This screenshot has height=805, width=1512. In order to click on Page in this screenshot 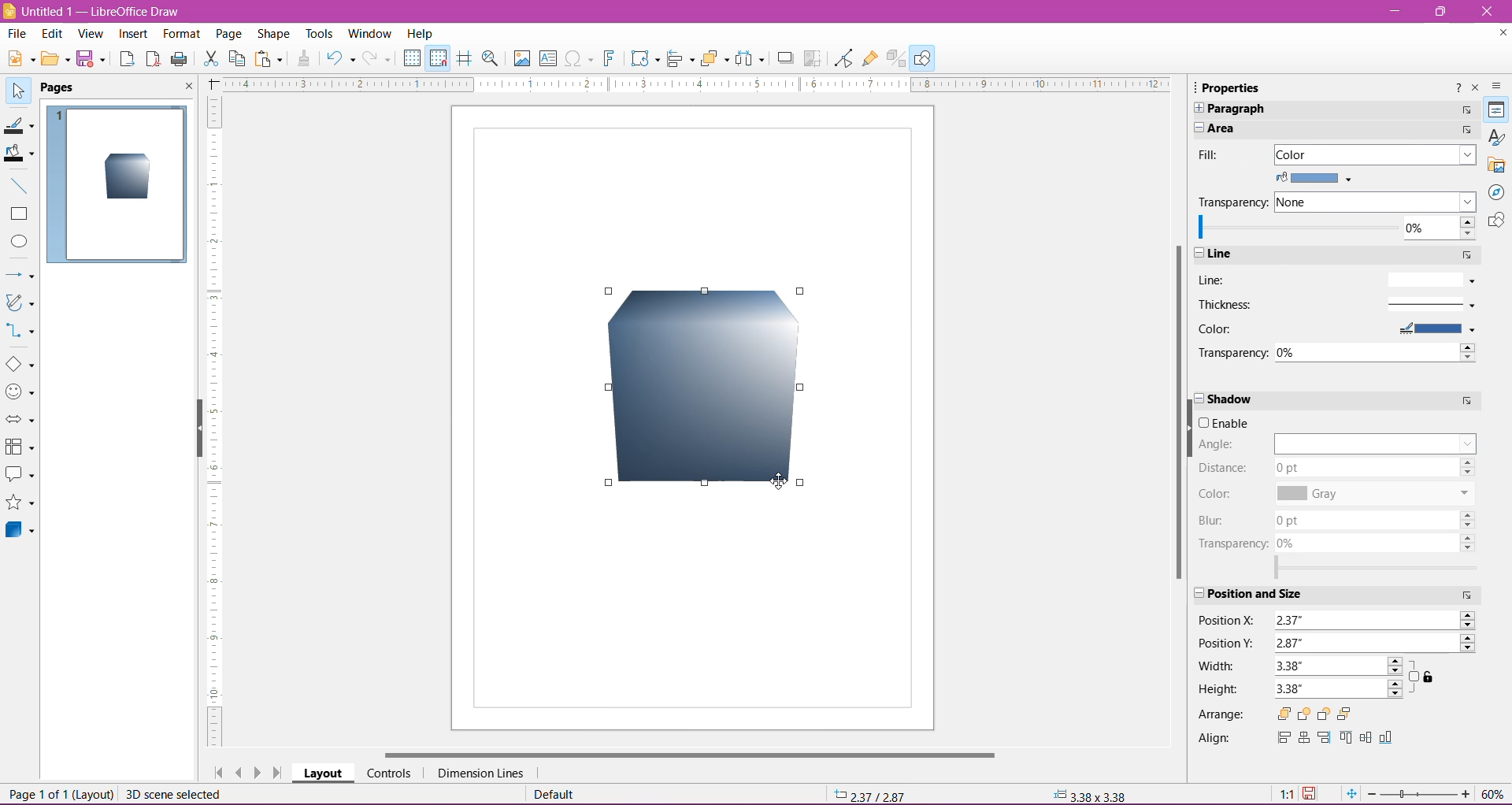, I will do `click(67, 88)`.